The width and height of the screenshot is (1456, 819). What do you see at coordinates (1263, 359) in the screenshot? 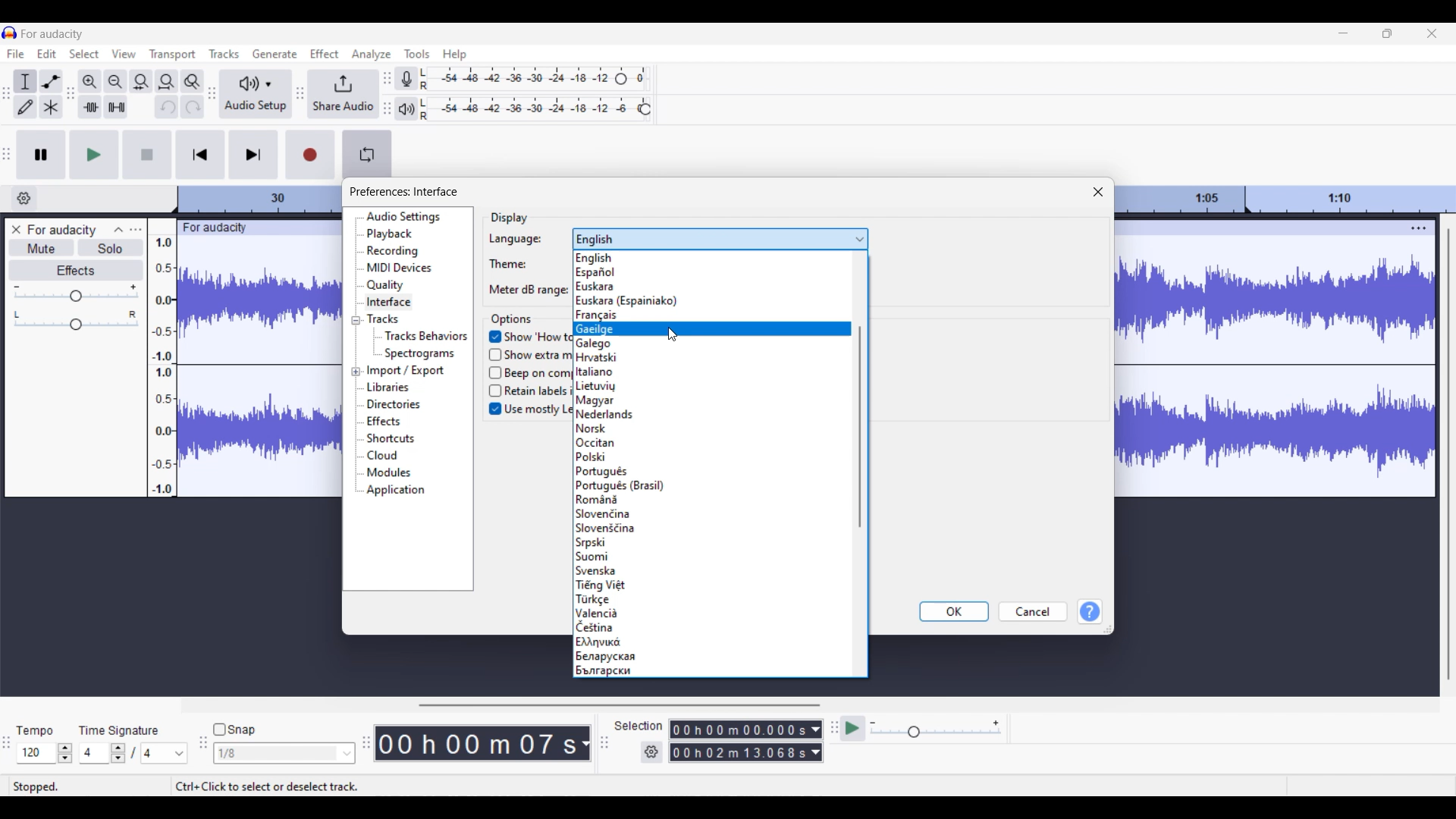
I see `Current track` at bounding box center [1263, 359].